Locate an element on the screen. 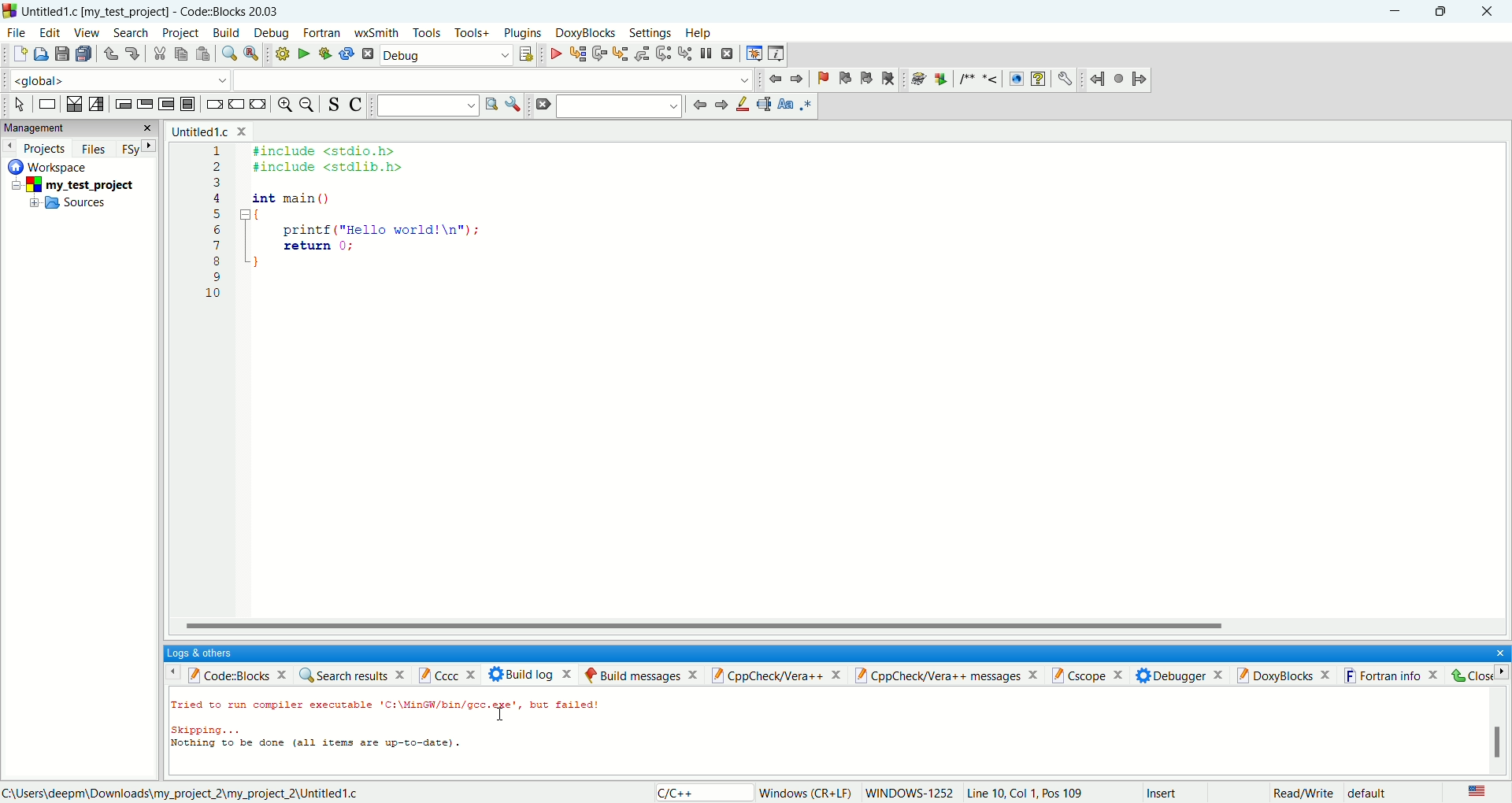 Image resolution: width=1512 pixels, height=803 pixels. build is located at coordinates (227, 32).